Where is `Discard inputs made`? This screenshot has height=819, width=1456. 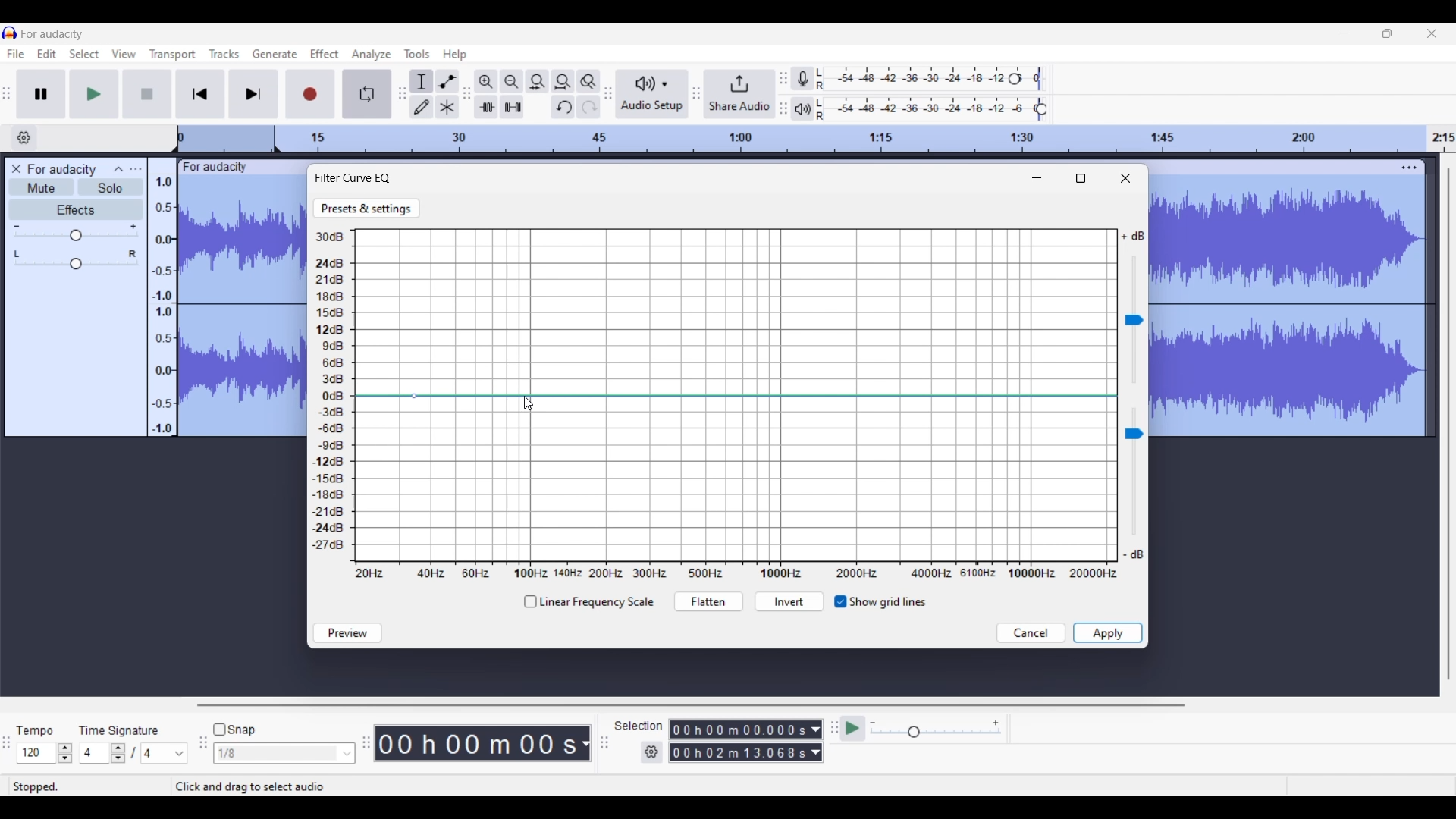 Discard inputs made is located at coordinates (1031, 633).